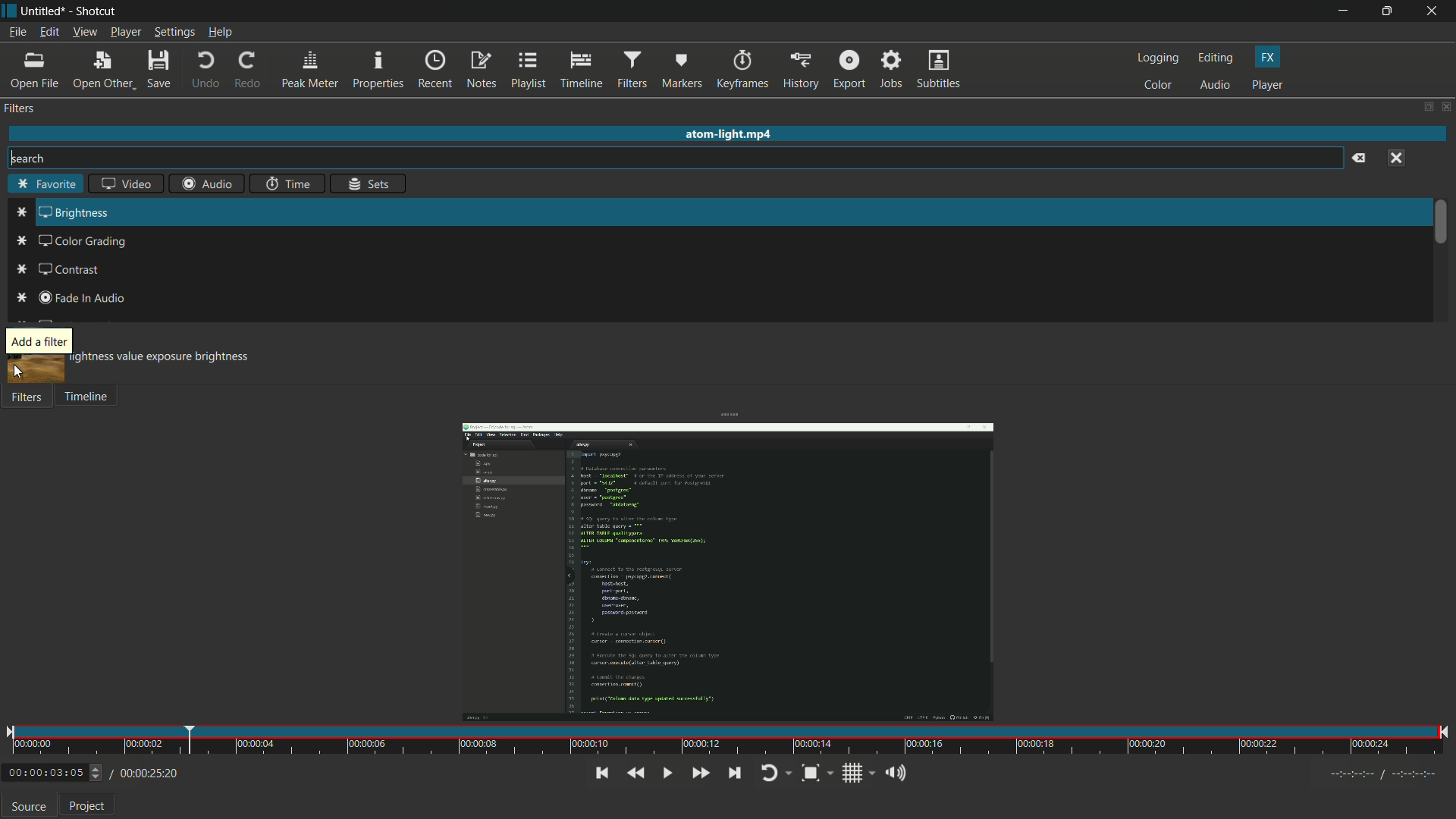  Describe the element at coordinates (582, 70) in the screenshot. I see `timeline` at that location.